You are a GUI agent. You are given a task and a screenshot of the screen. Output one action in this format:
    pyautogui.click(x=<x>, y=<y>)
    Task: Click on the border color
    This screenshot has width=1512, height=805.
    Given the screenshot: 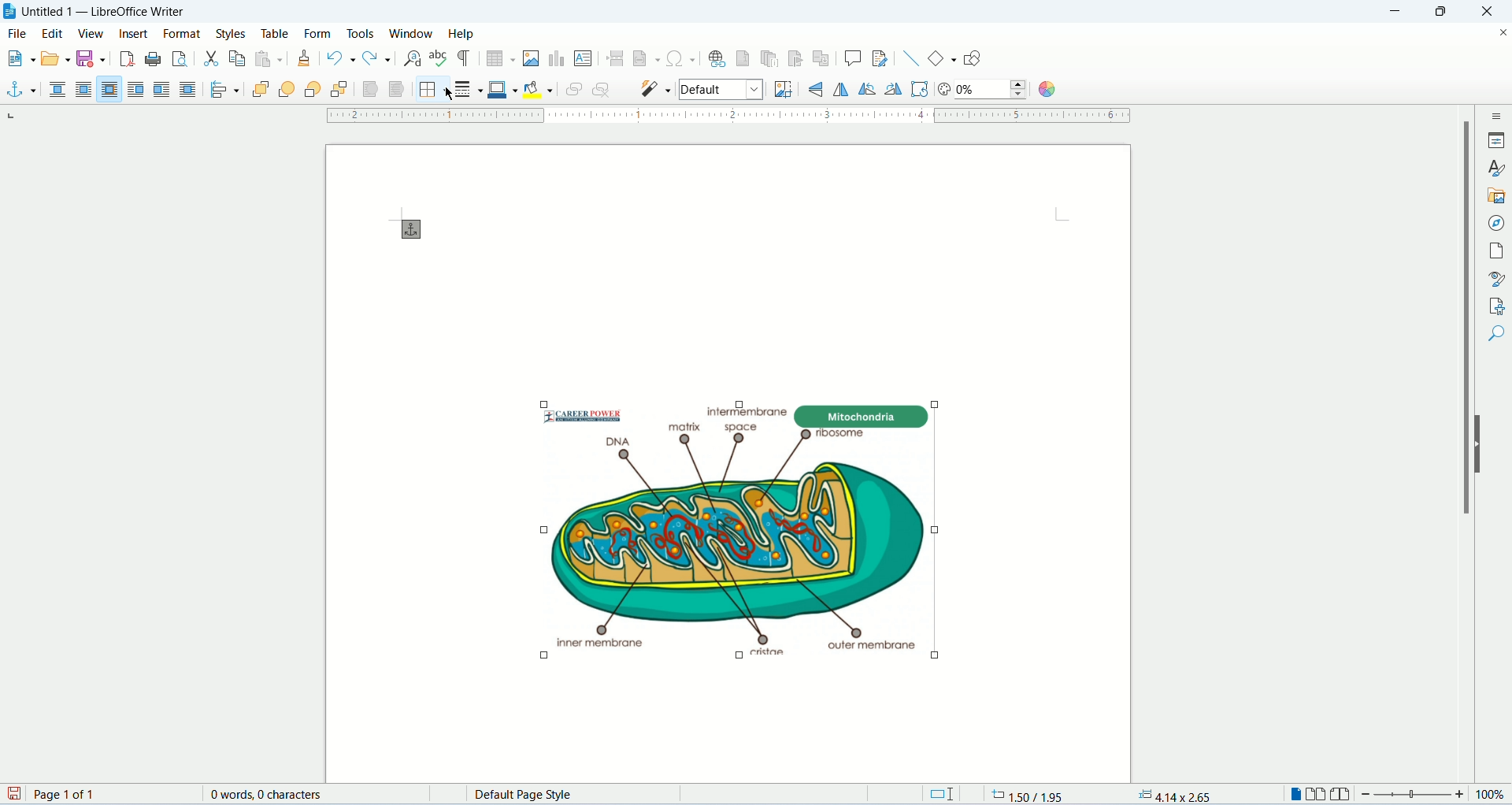 What is the action you would take?
    pyautogui.click(x=502, y=88)
    